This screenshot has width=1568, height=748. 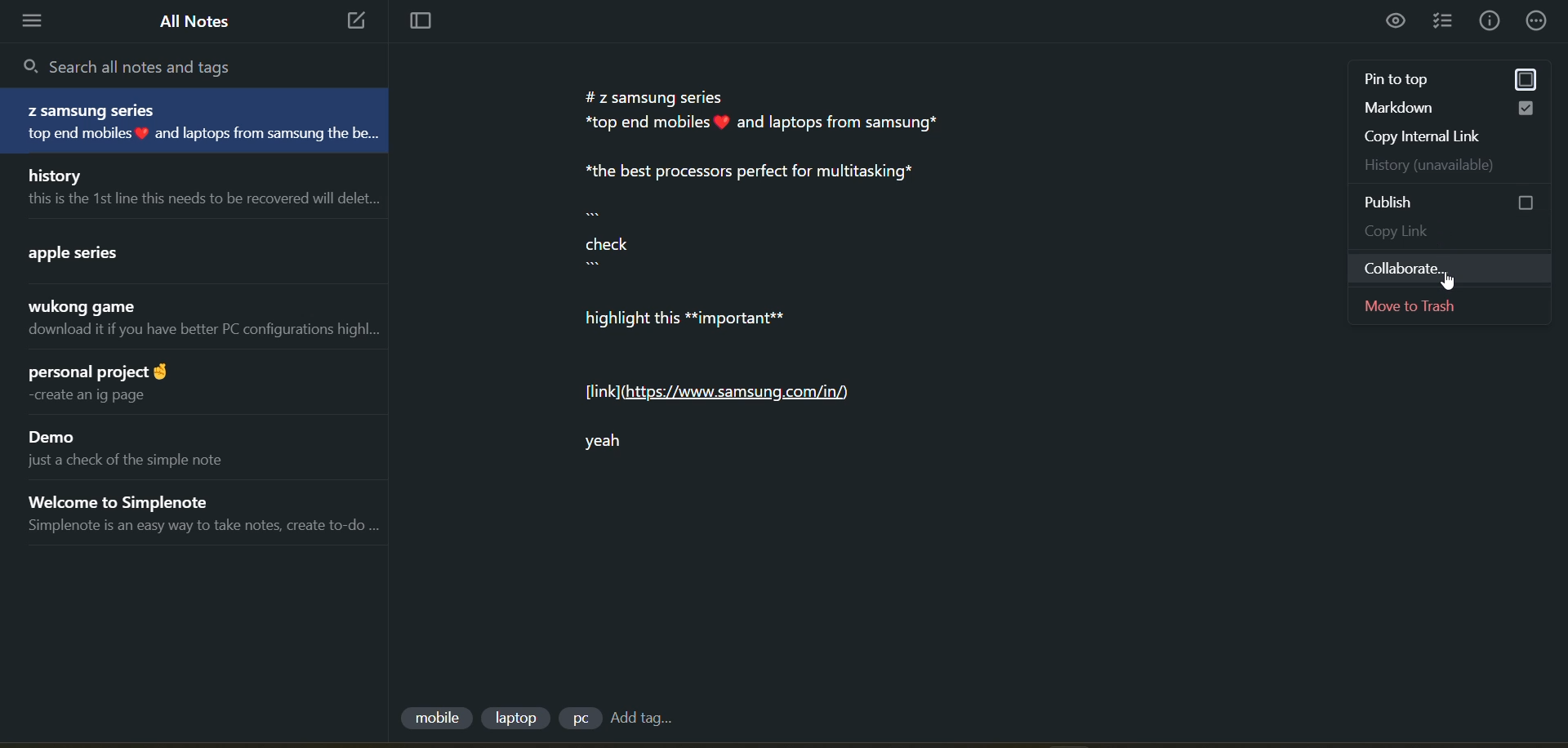 I want to click on actions, so click(x=1540, y=20).